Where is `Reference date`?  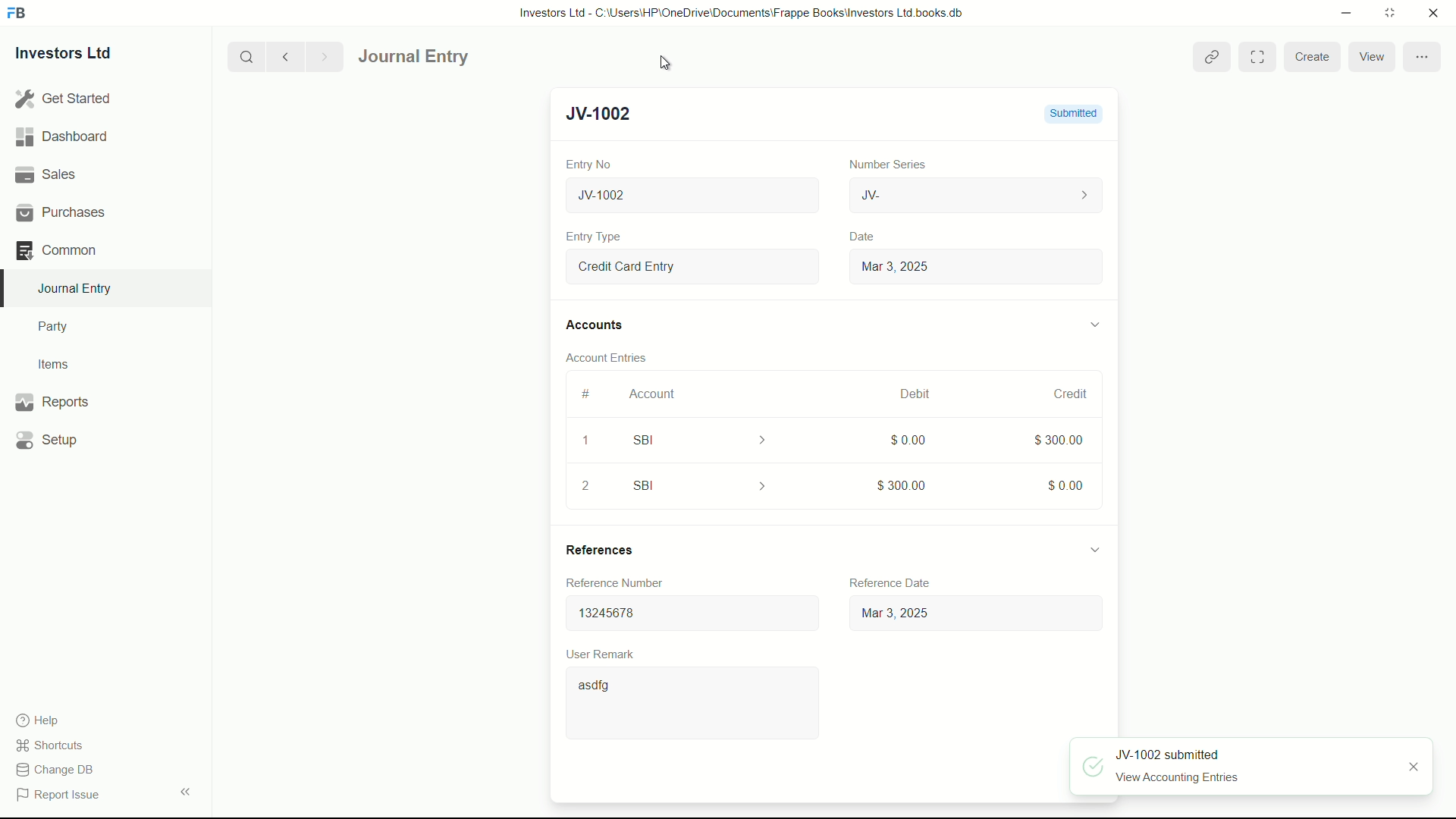 Reference date is located at coordinates (890, 583).